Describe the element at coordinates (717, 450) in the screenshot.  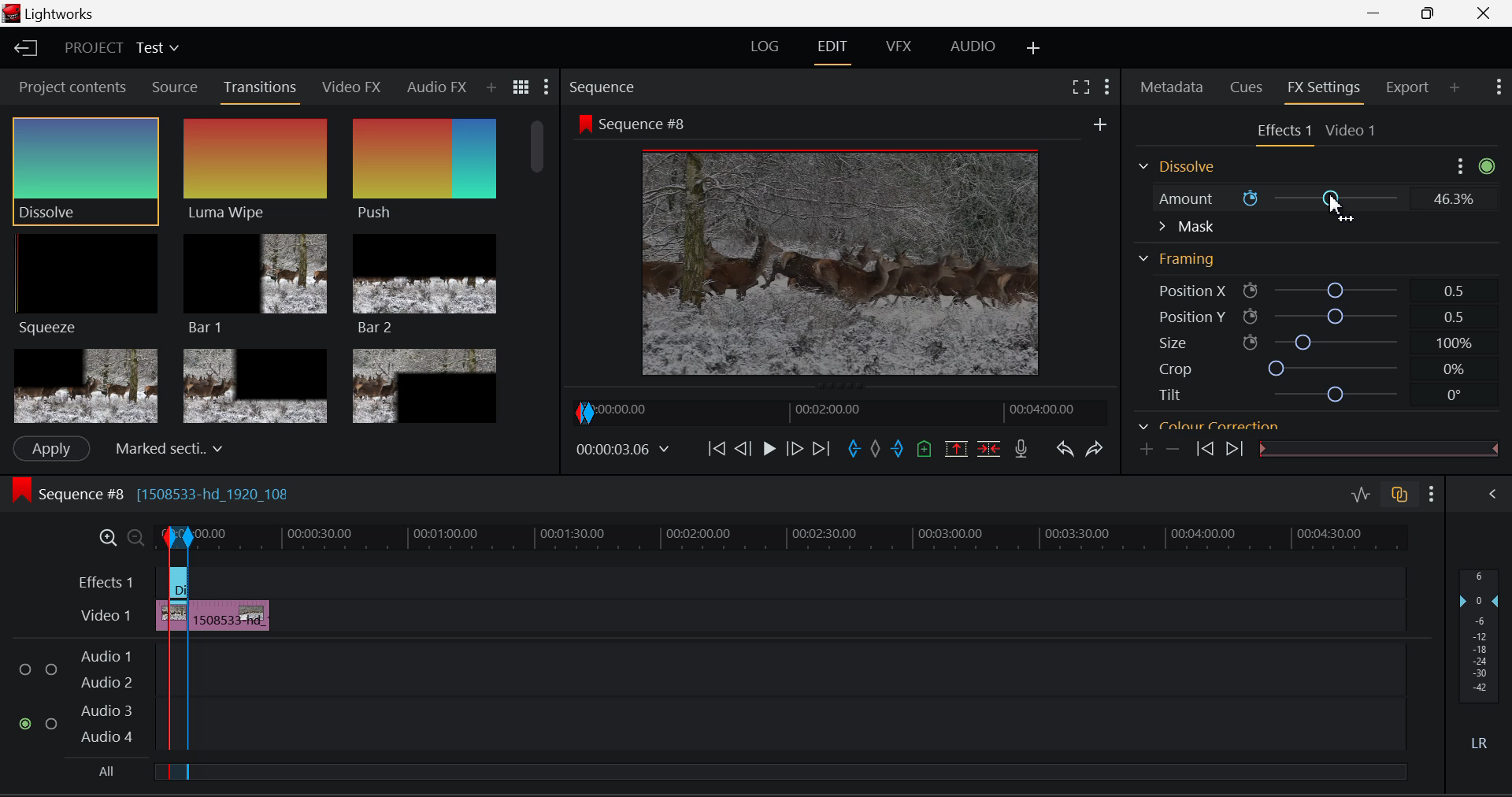
I see `To start` at that location.